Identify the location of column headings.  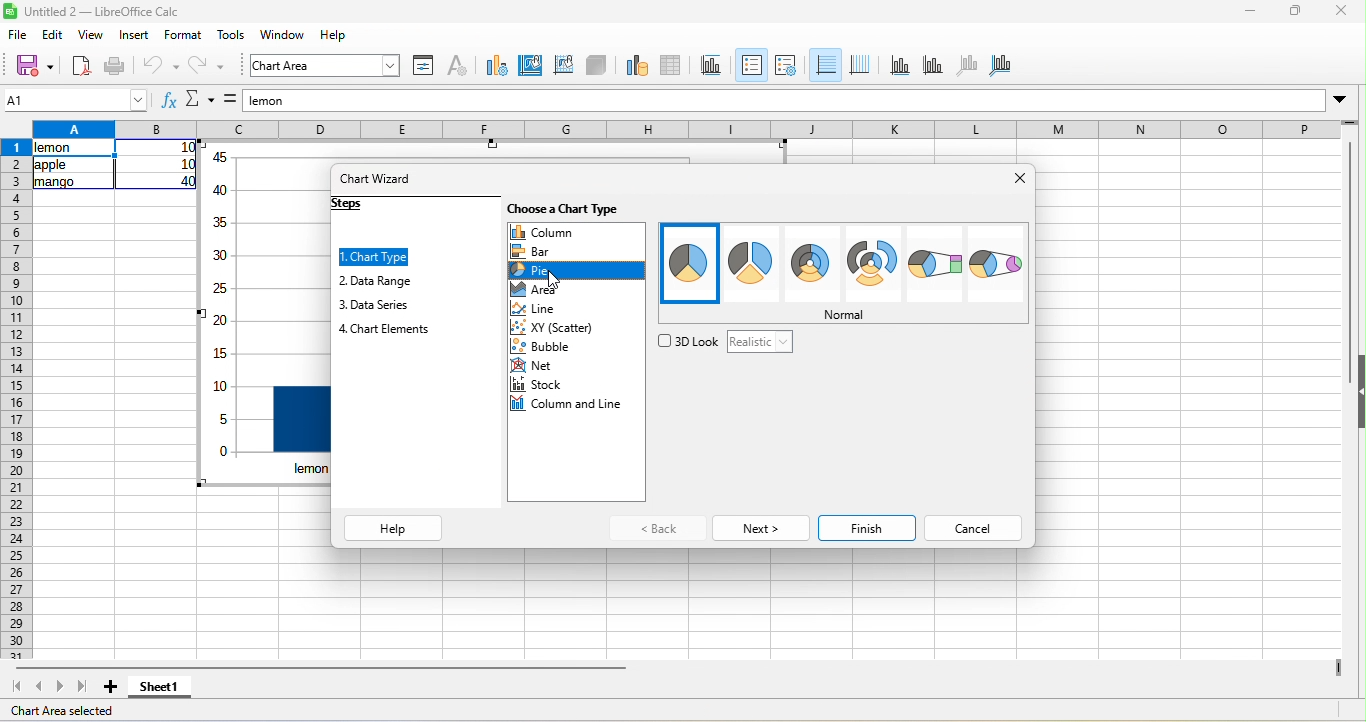
(682, 128).